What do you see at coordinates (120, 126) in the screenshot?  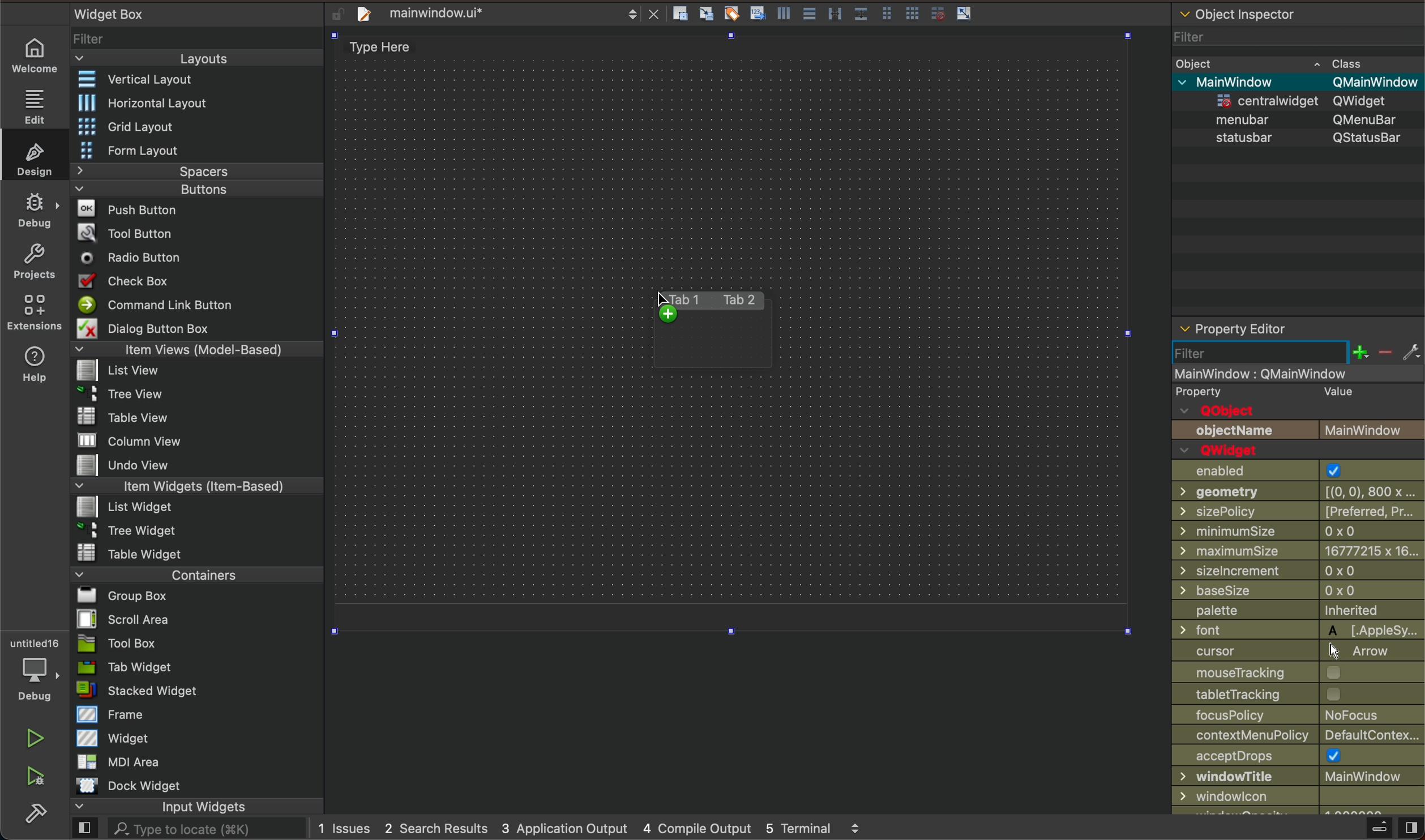 I see ` Grid Layout` at bounding box center [120, 126].